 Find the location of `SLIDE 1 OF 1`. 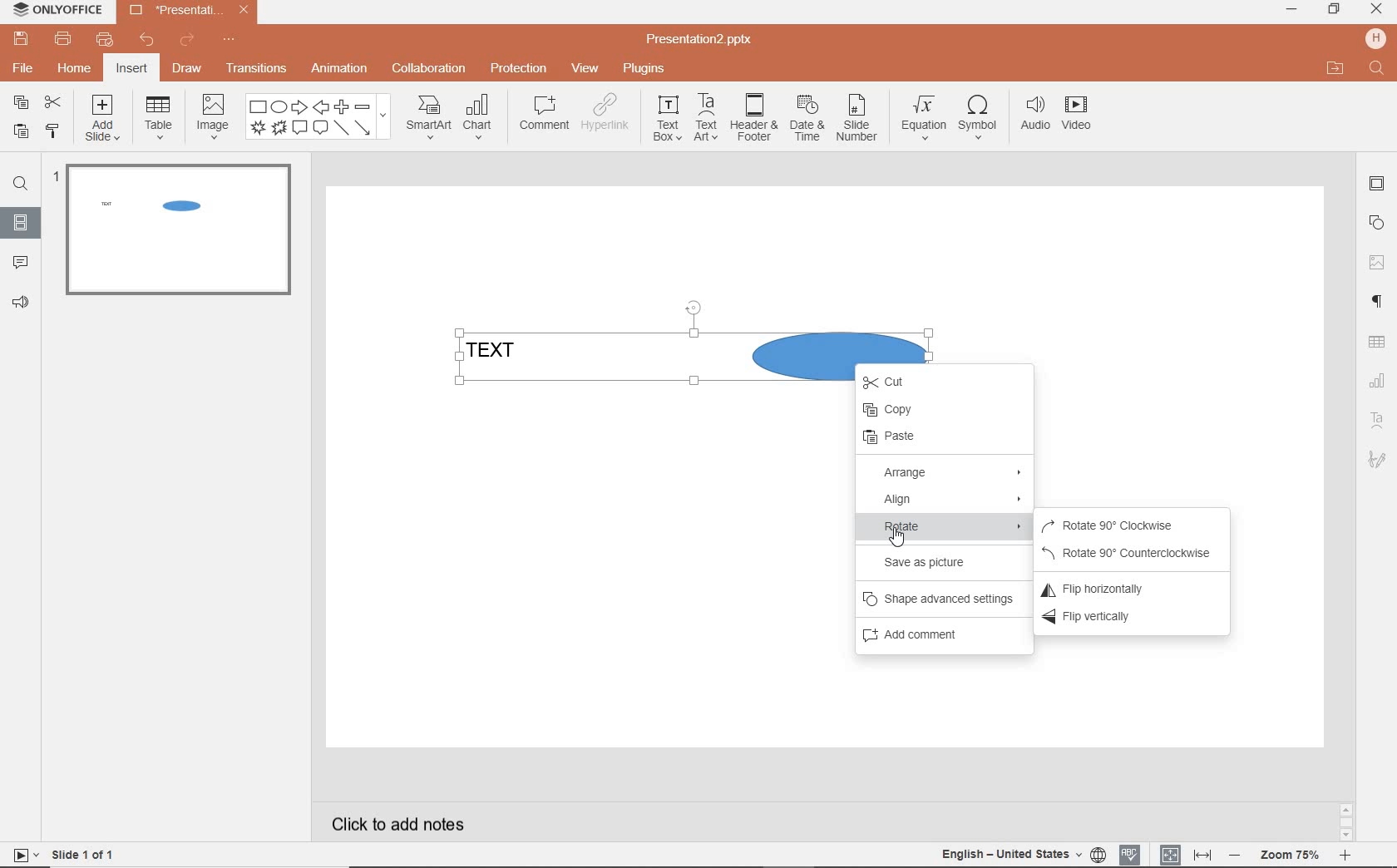

SLIDE 1 OF 1 is located at coordinates (65, 854).